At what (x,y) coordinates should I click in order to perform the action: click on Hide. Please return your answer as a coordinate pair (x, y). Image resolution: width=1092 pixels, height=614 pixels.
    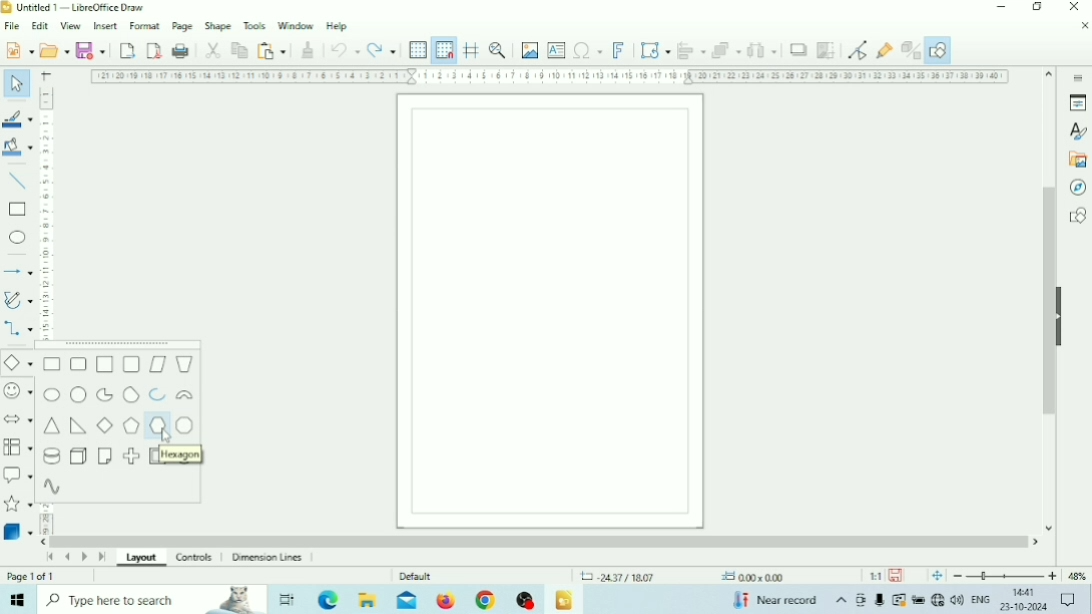
    Looking at the image, I should click on (1062, 314).